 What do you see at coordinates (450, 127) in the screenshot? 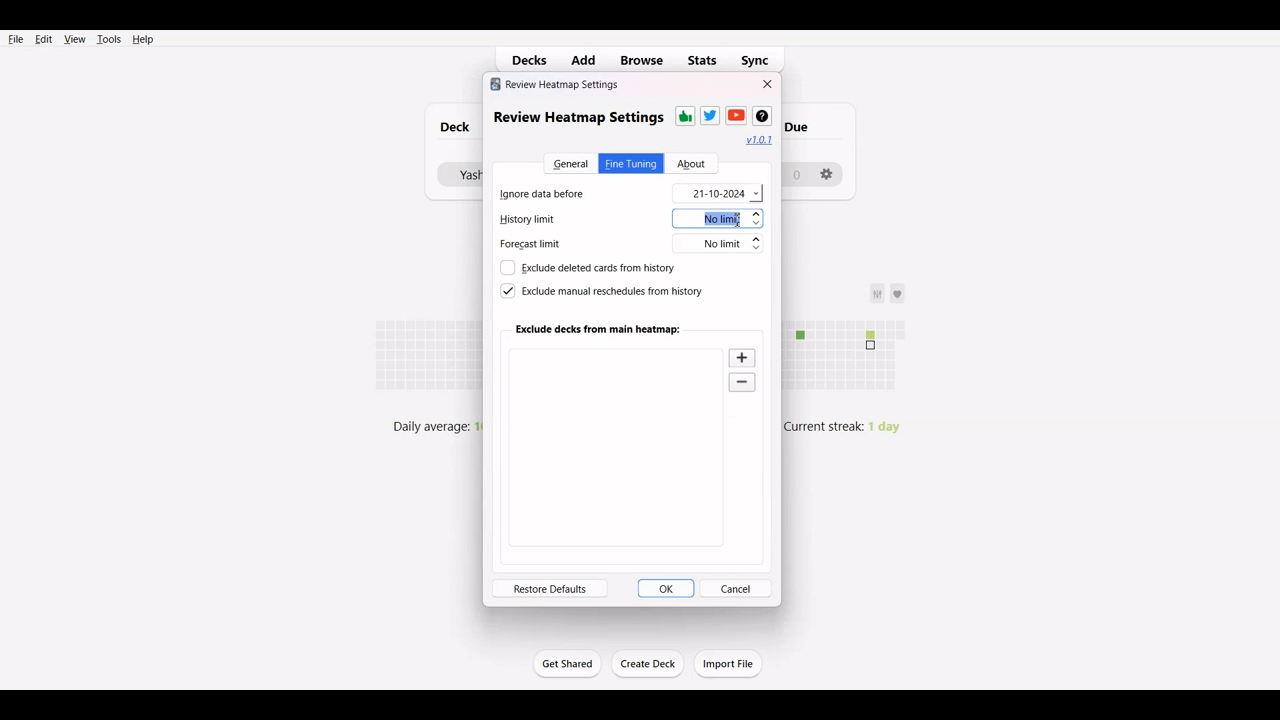
I see `Deck` at bounding box center [450, 127].